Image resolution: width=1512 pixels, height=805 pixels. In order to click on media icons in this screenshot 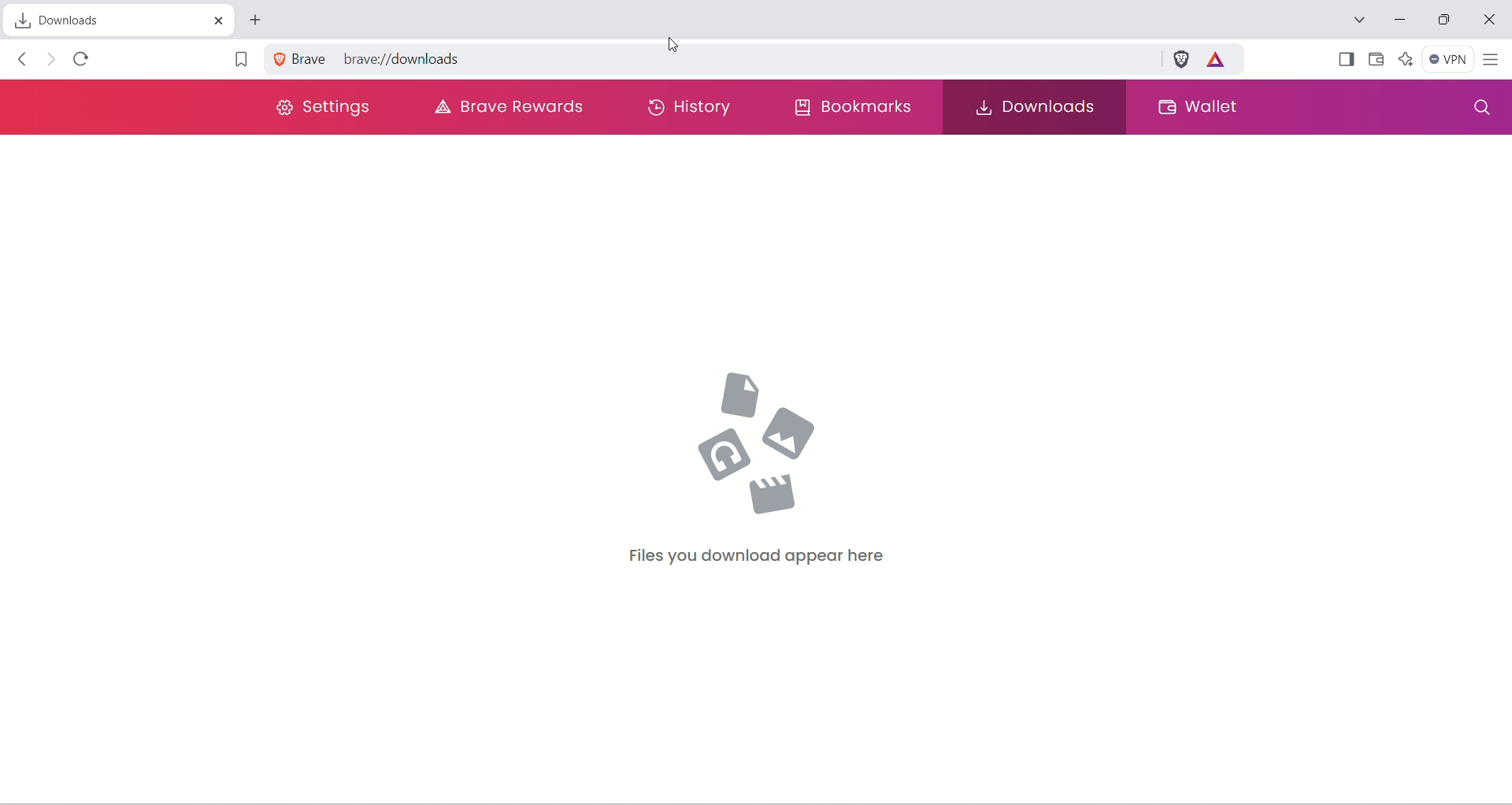, I will do `click(764, 444)`.